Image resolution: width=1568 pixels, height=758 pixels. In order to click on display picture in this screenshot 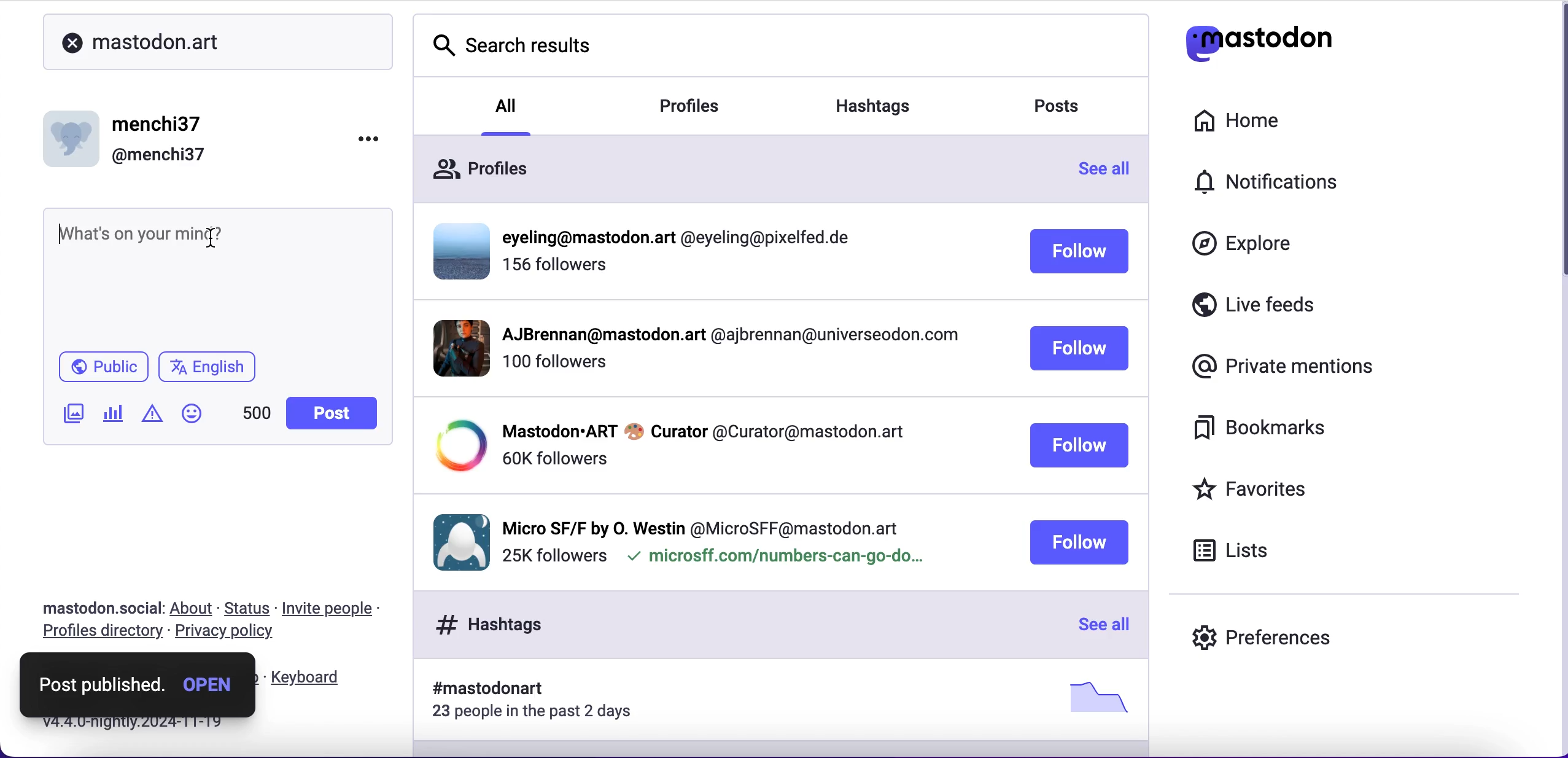, I will do `click(451, 347)`.